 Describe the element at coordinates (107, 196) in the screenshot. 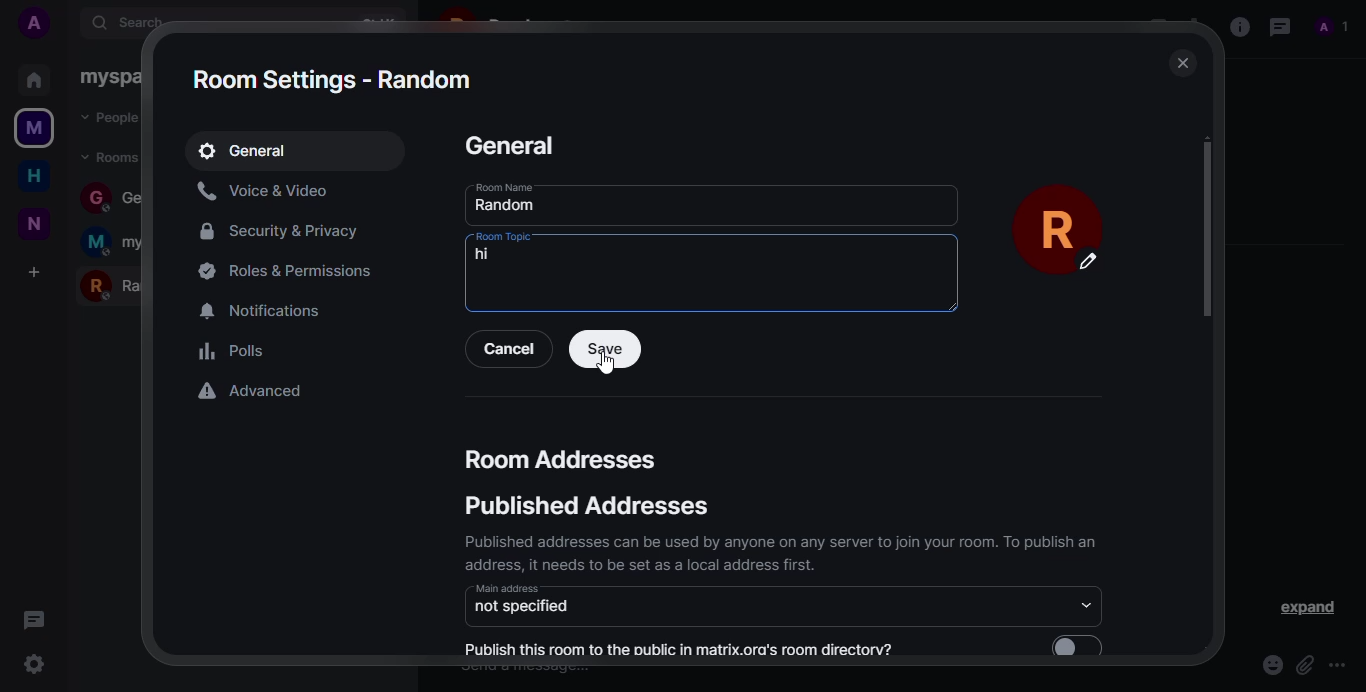

I see `general` at that location.